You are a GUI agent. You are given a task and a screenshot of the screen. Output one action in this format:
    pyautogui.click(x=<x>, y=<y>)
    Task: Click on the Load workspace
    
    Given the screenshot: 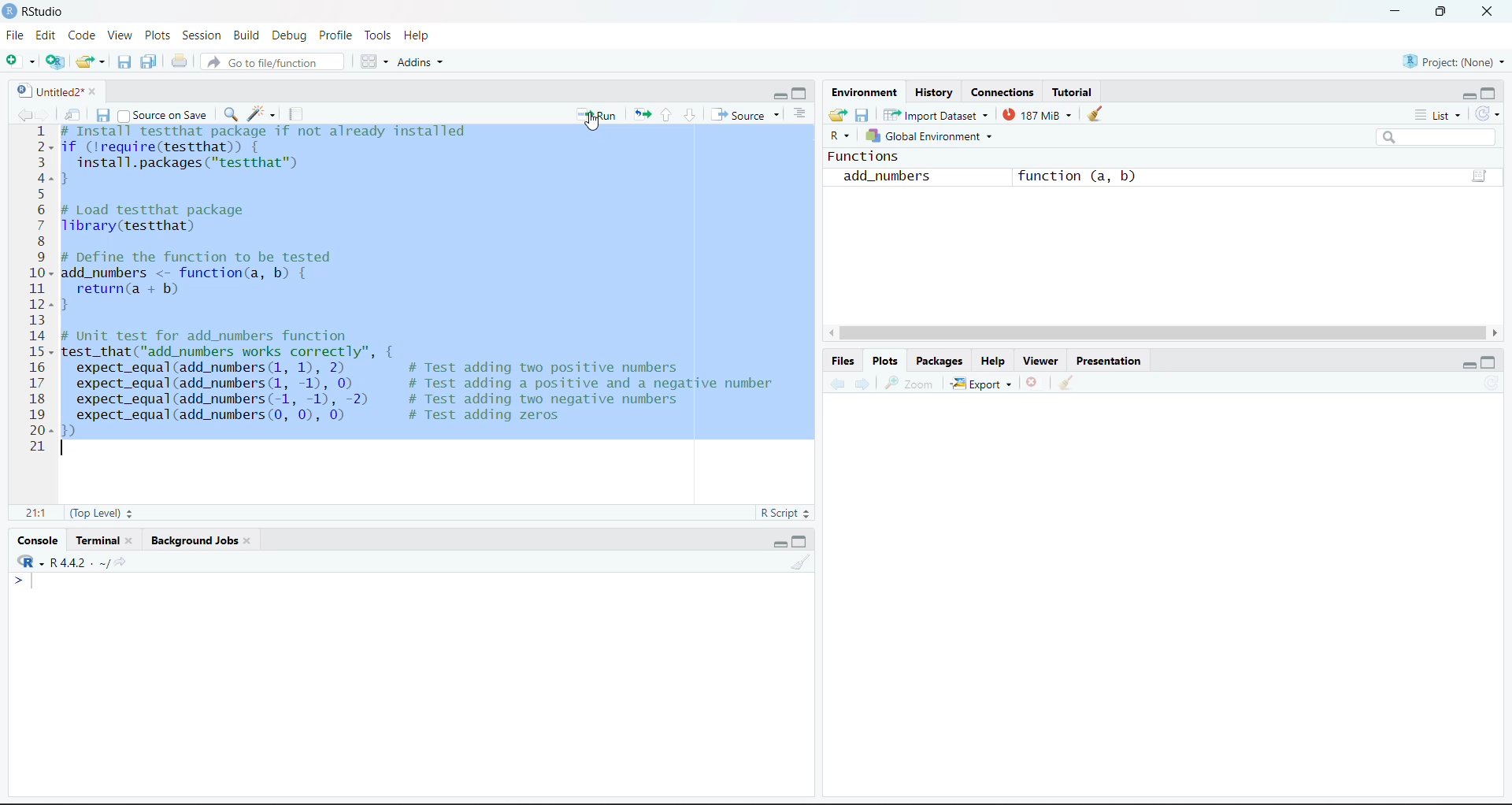 What is the action you would take?
    pyautogui.click(x=837, y=117)
    